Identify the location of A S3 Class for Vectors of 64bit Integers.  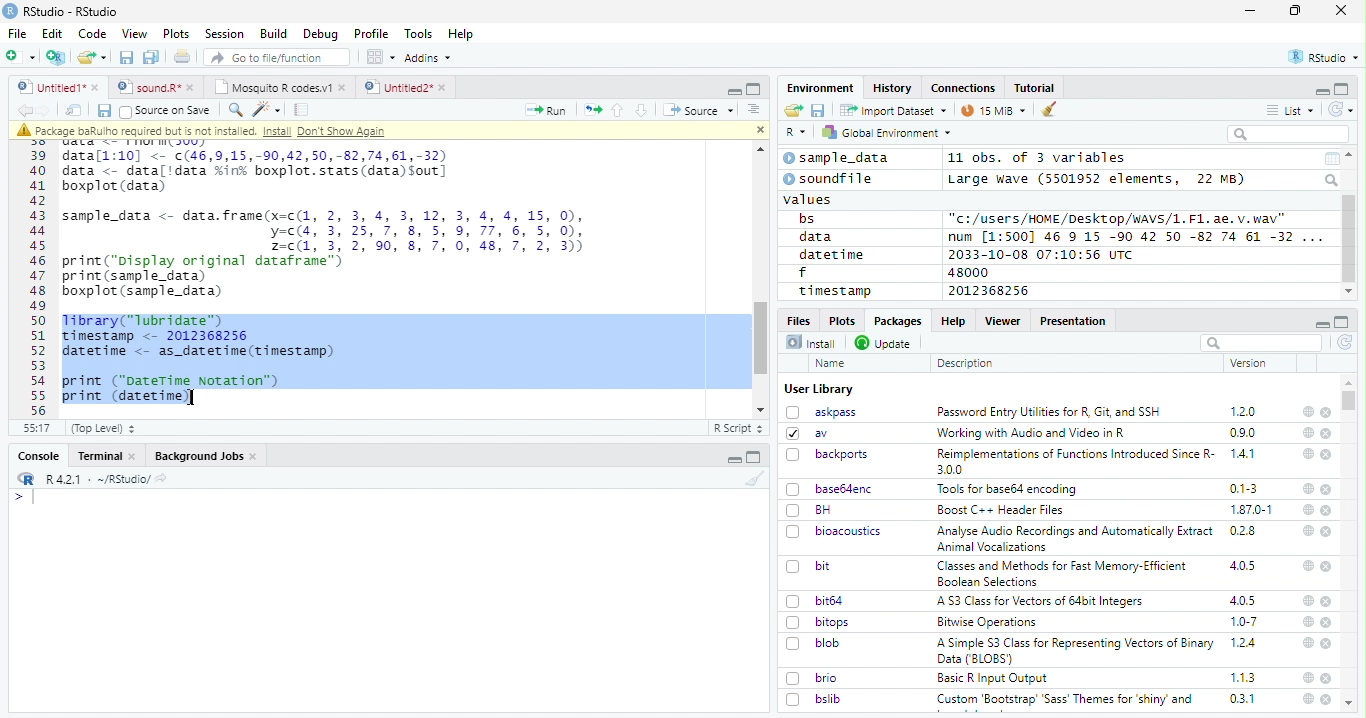
(1042, 602).